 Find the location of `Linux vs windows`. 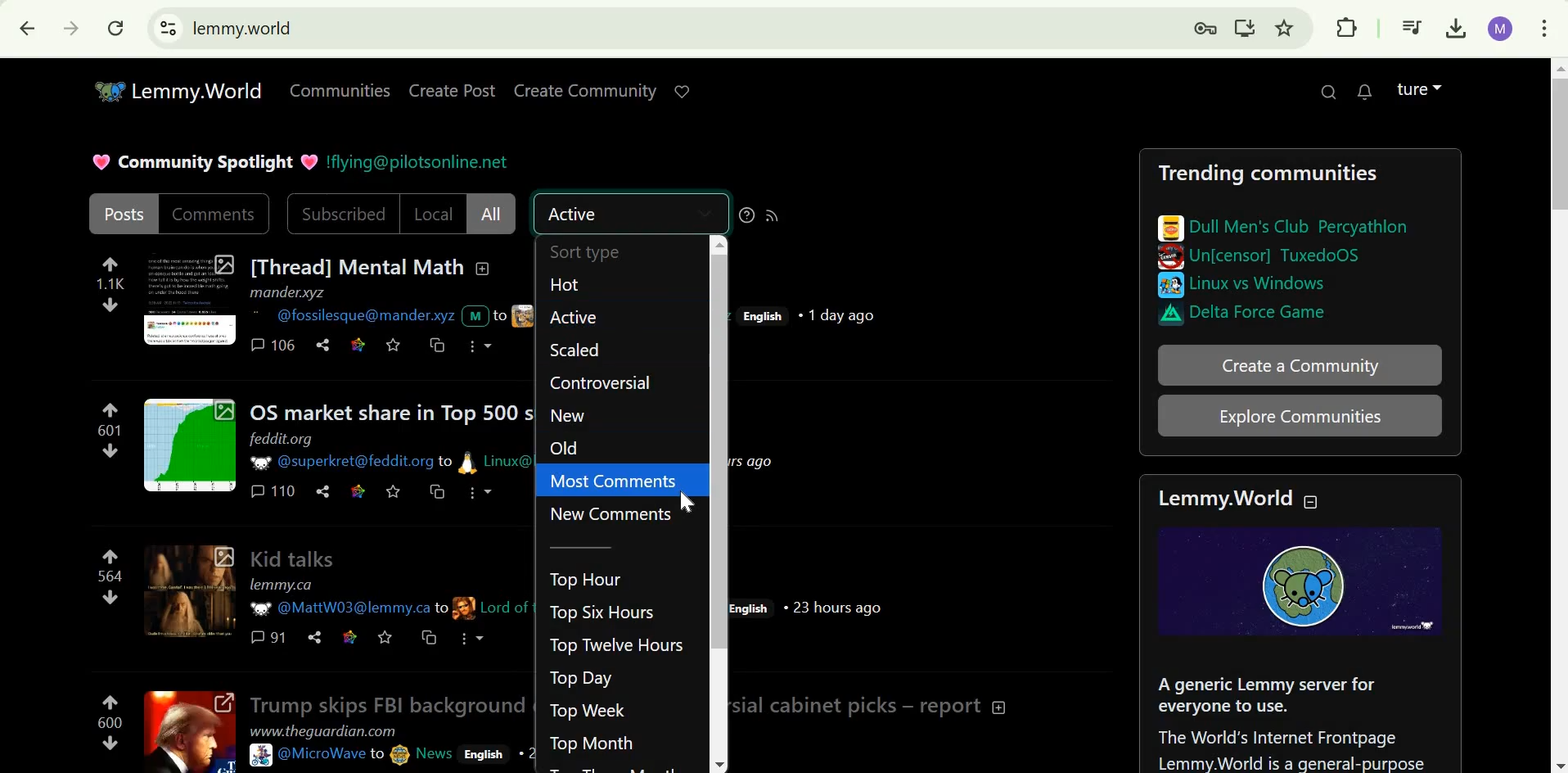

Linux vs windows is located at coordinates (1262, 284).